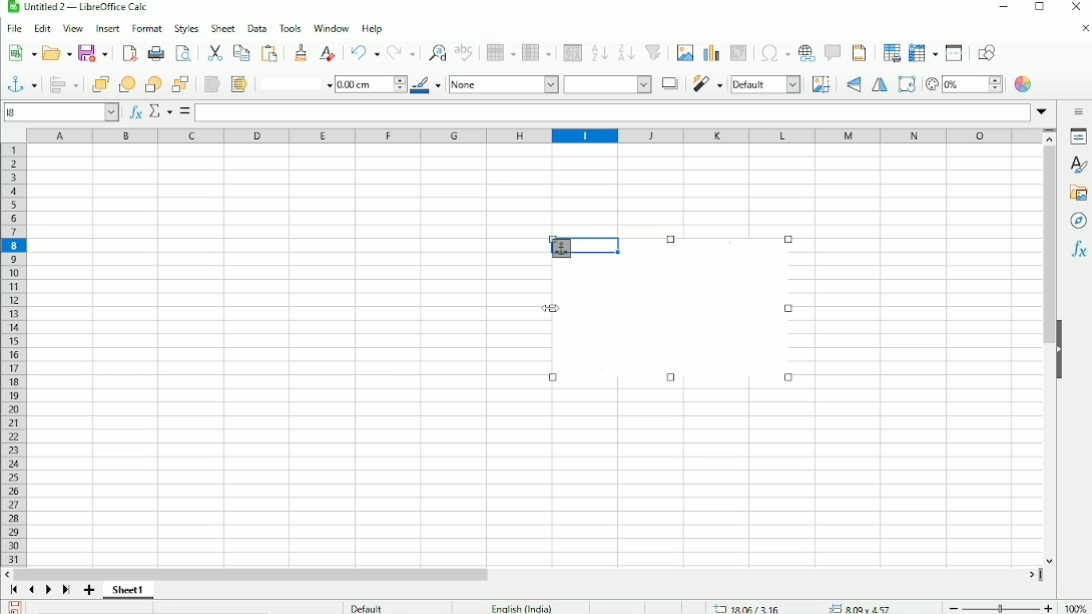 The width and height of the screenshot is (1092, 614). Describe the element at coordinates (14, 29) in the screenshot. I see `File` at that location.